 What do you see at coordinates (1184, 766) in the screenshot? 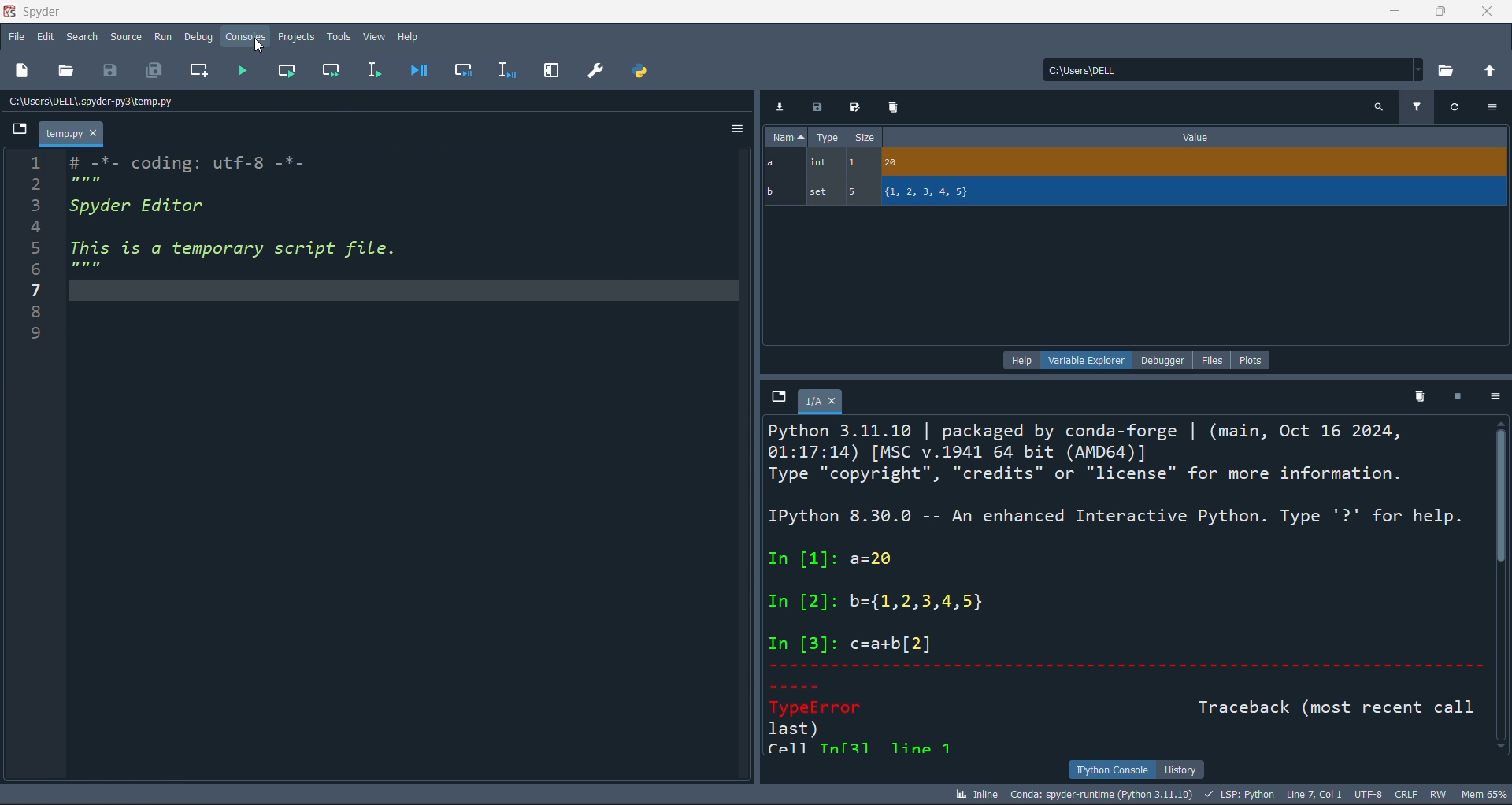
I see `HISTORY` at bounding box center [1184, 766].